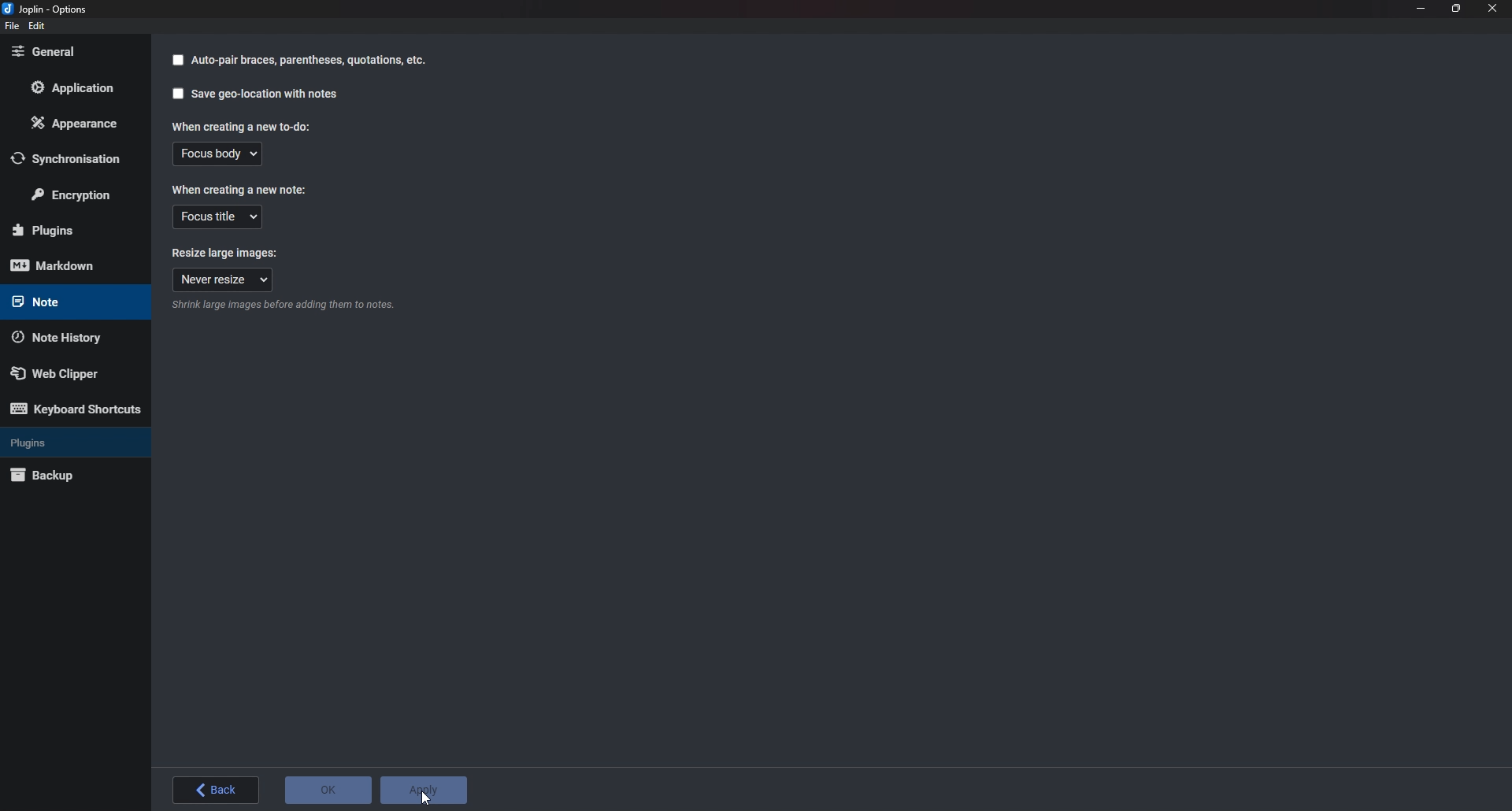  I want to click on Resize, so click(1455, 9).